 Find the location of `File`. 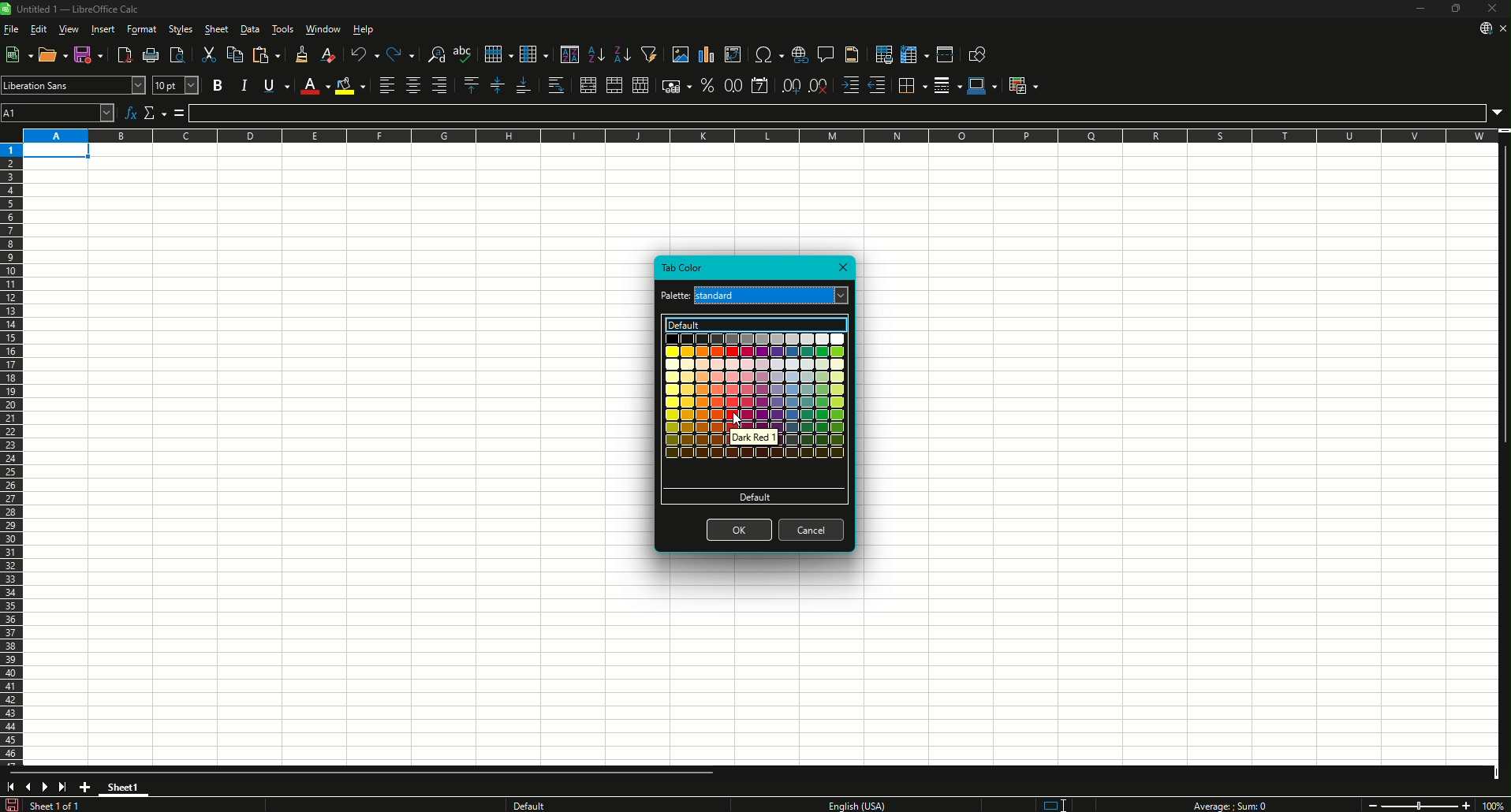

File is located at coordinates (12, 29).